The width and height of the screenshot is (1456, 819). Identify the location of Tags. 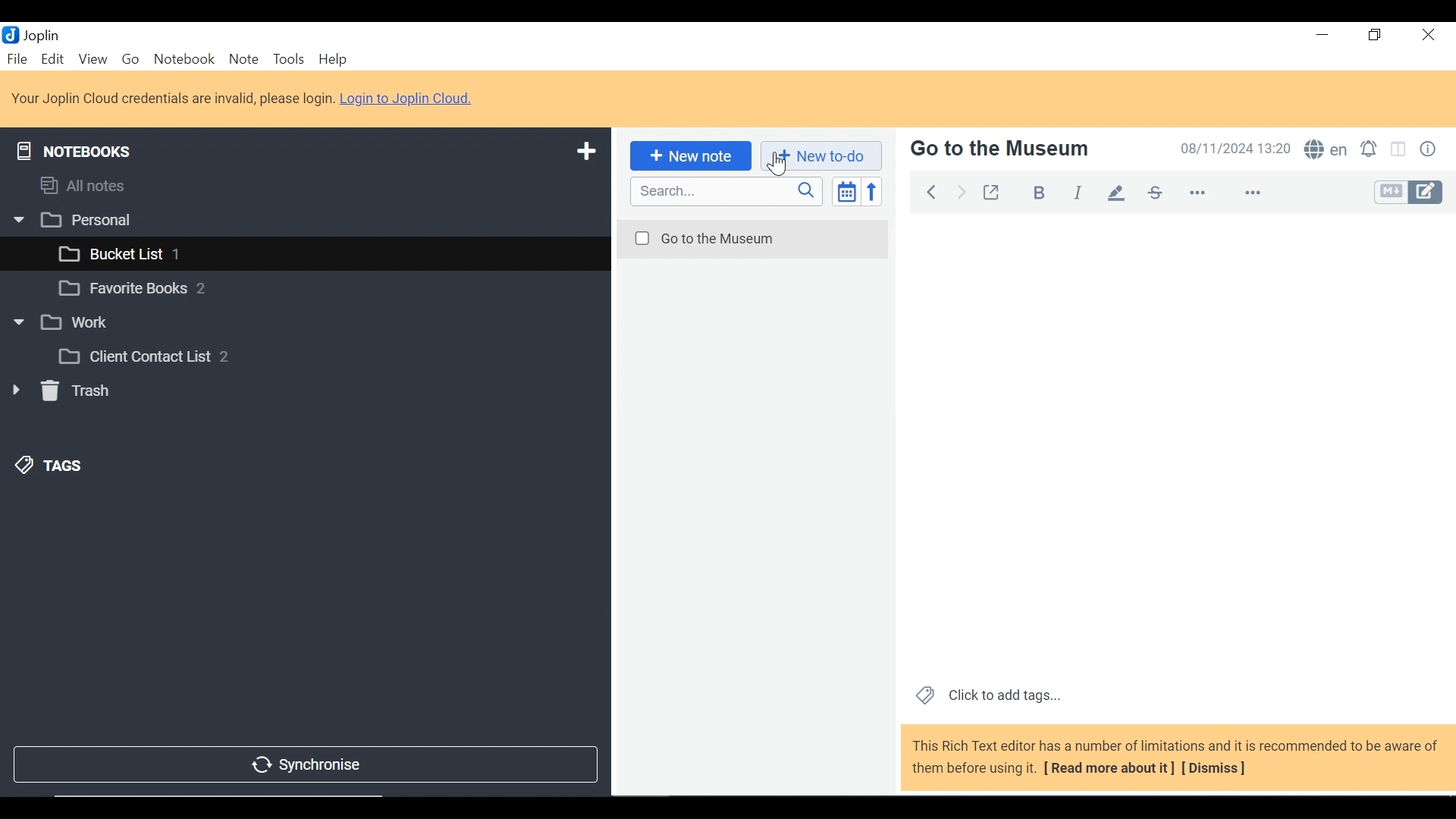
(50, 465).